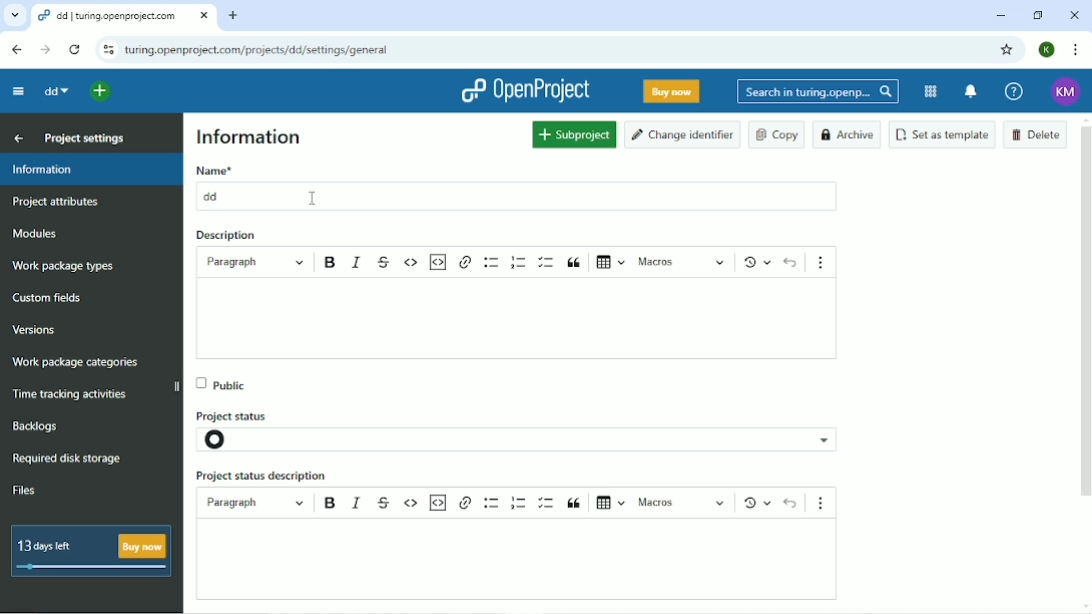 The image size is (1092, 614). What do you see at coordinates (1038, 16) in the screenshot?
I see `Restore down` at bounding box center [1038, 16].